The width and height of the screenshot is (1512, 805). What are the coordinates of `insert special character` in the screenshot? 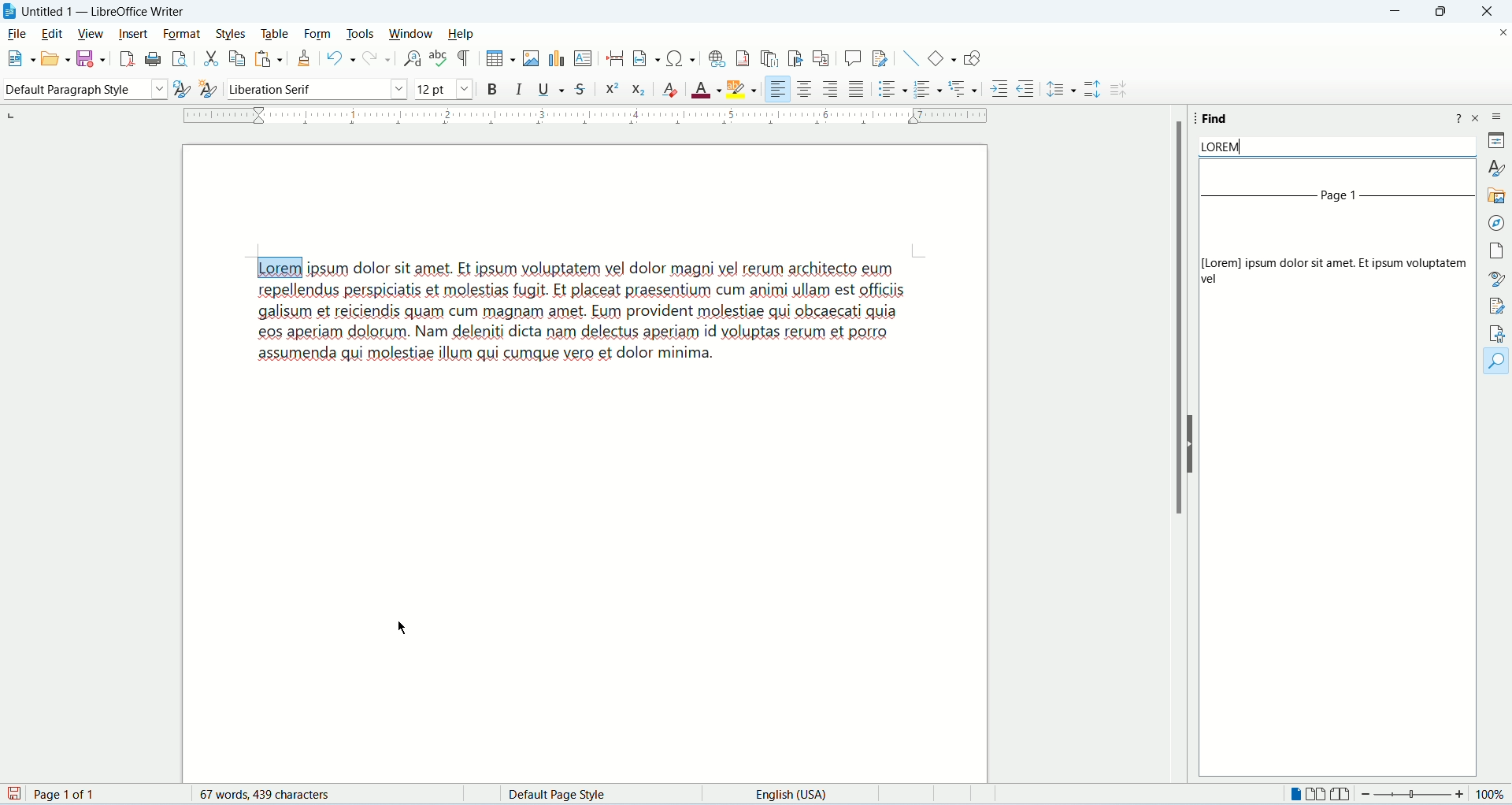 It's located at (680, 58).